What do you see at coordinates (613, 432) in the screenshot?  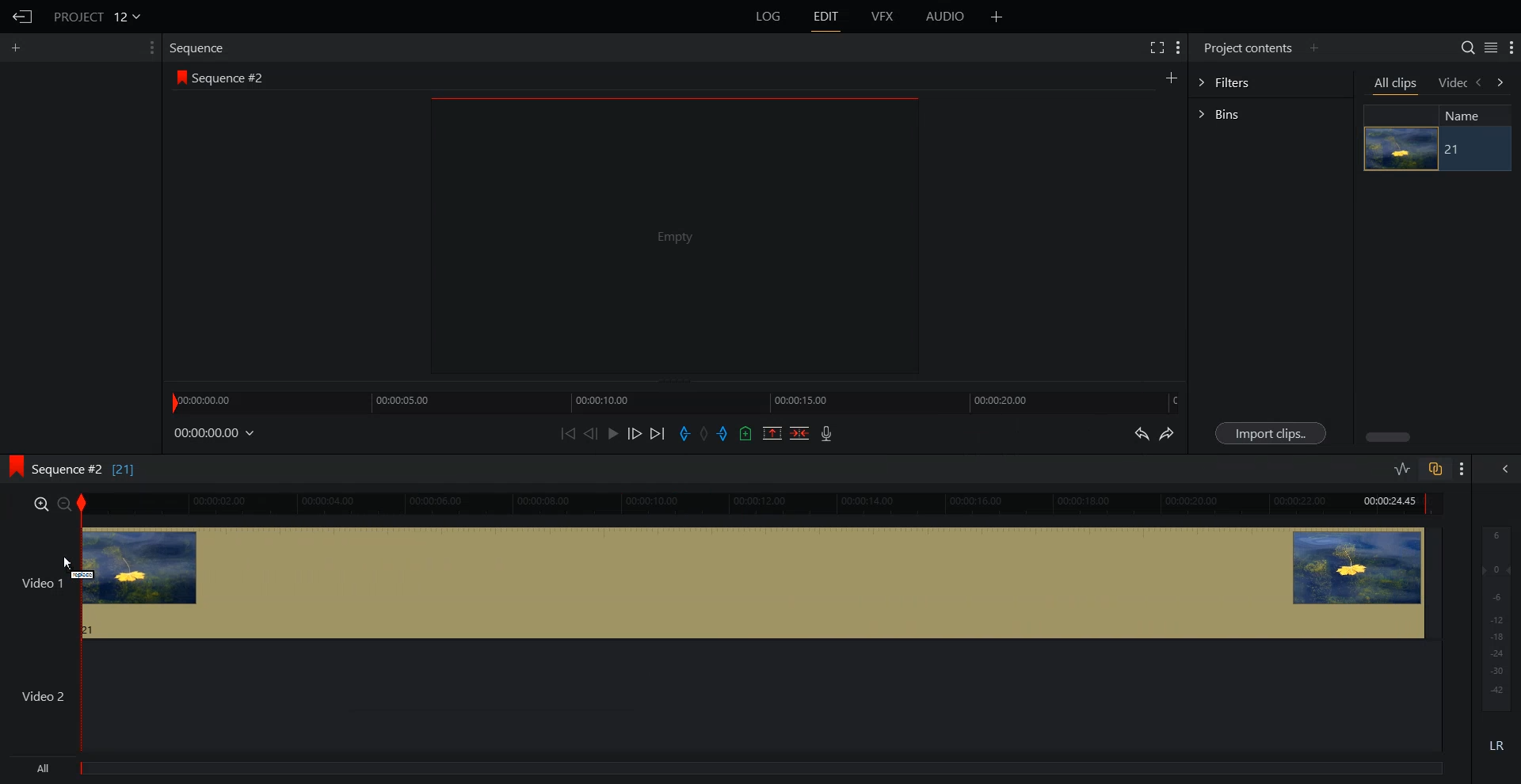 I see `Play` at bounding box center [613, 432].